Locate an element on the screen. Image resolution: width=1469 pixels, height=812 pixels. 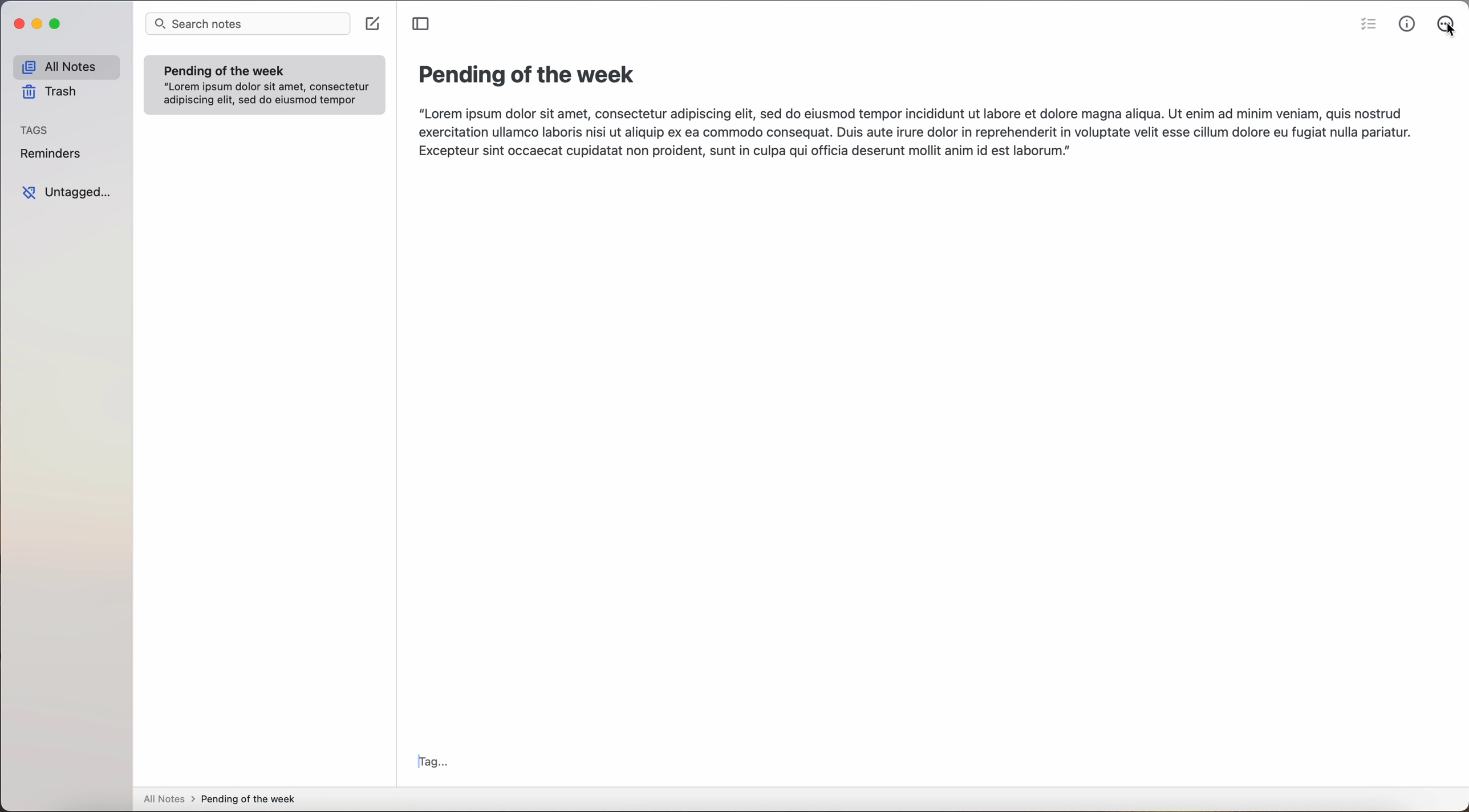
toggle sidebar is located at coordinates (423, 24).